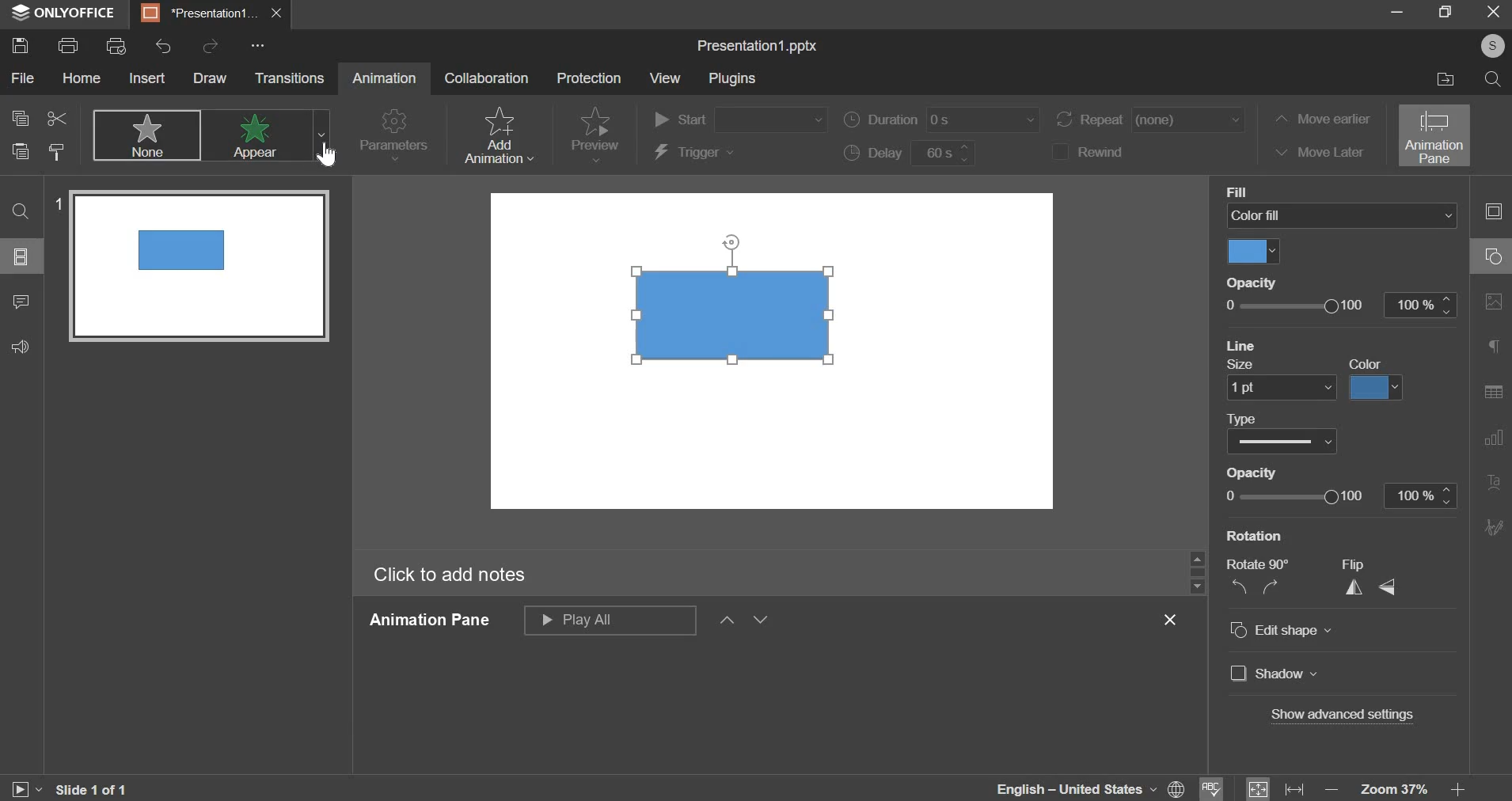  What do you see at coordinates (697, 154) in the screenshot?
I see `trigger` at bounding box center [697, 154].